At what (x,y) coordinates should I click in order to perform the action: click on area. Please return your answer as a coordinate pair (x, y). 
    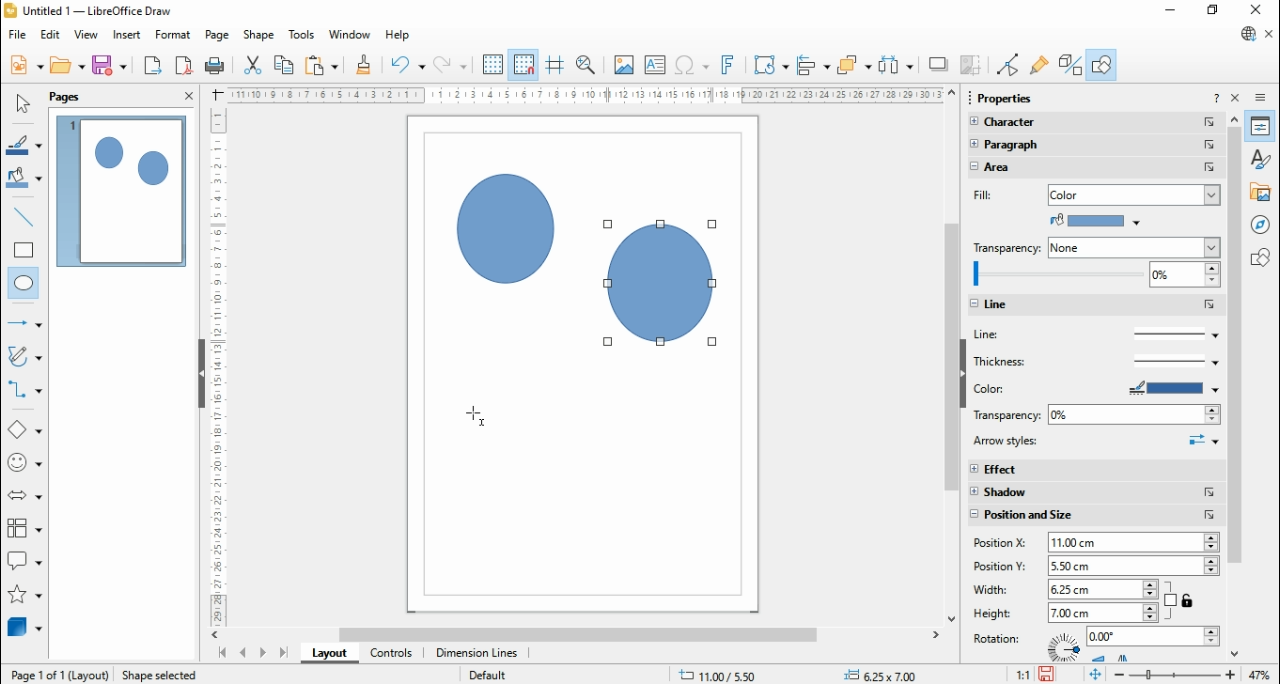
    Looking at the image, I should click on (1030, 168).